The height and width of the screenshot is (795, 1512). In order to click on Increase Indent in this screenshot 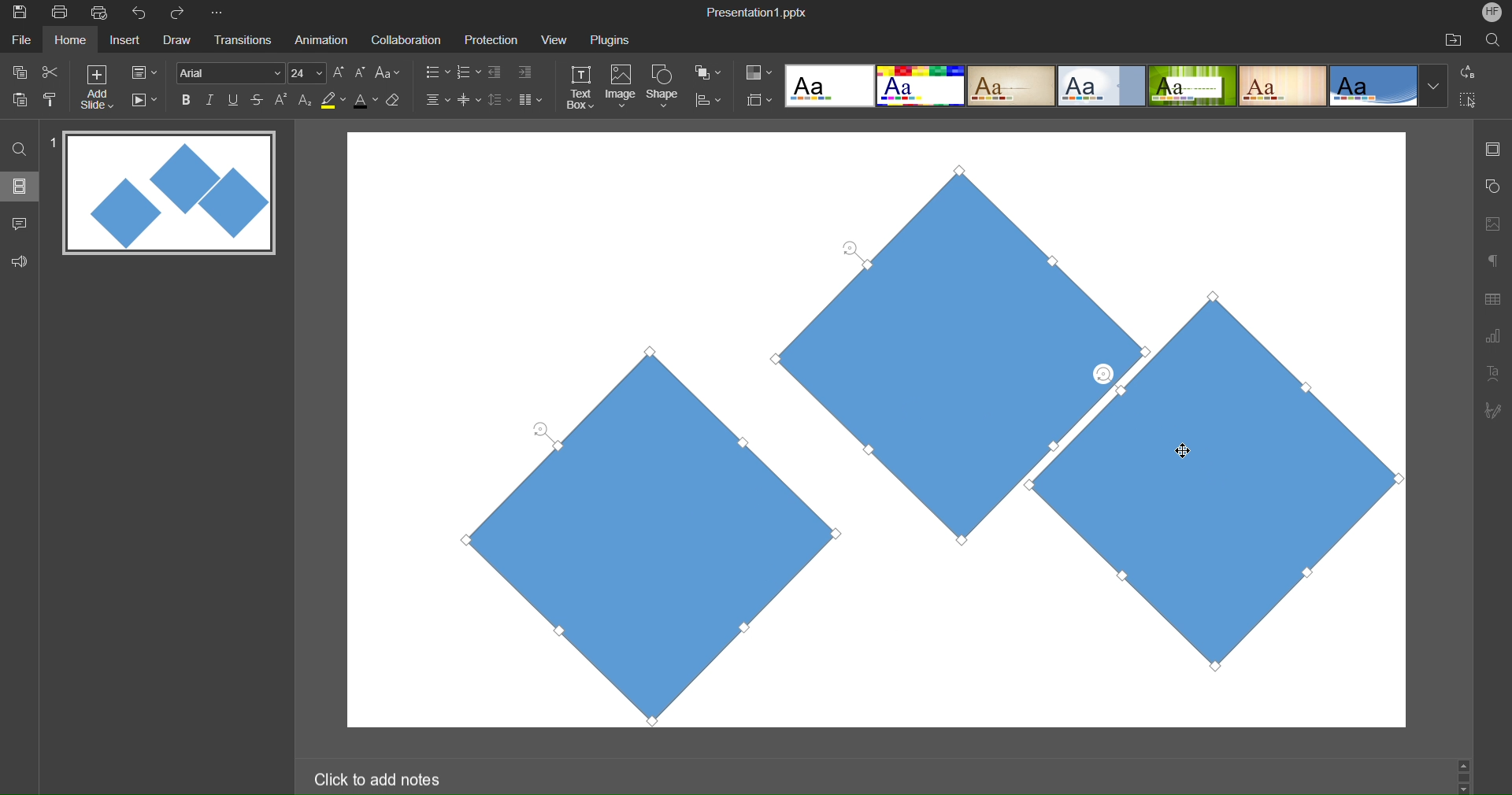, I will do `click(525, 70)`.